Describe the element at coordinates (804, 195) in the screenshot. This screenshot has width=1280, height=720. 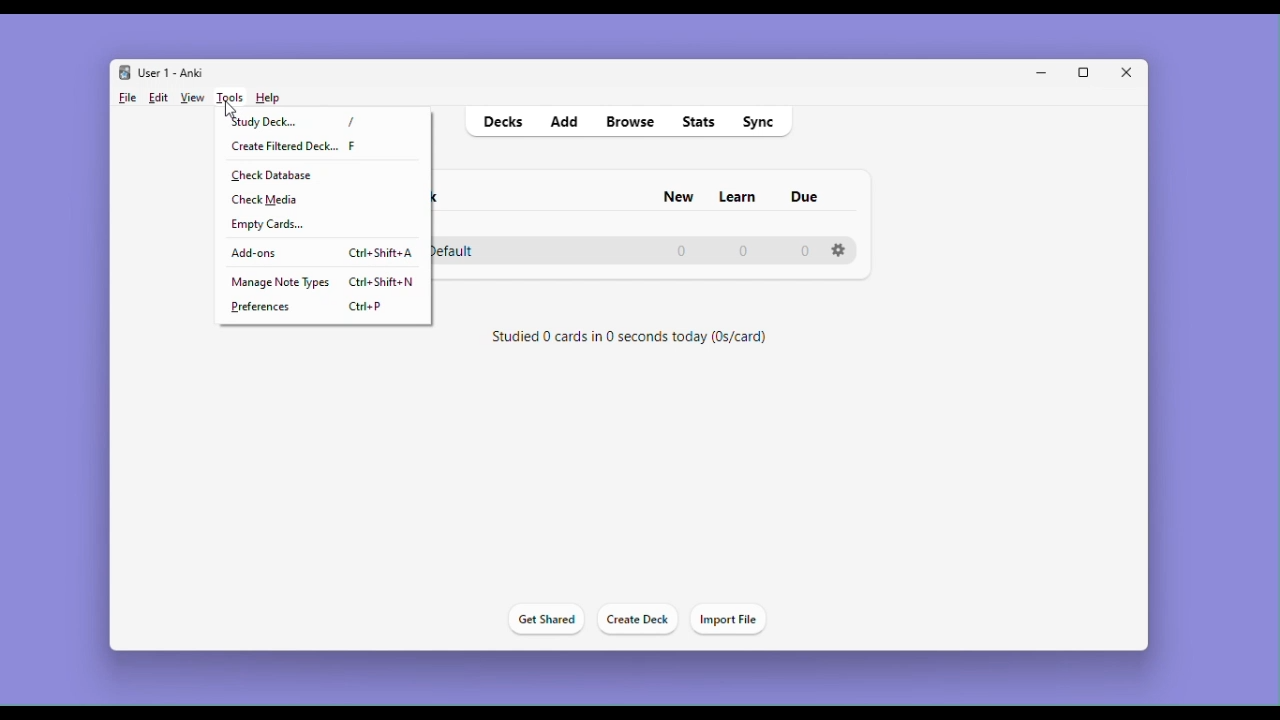
I see `due` at that location.